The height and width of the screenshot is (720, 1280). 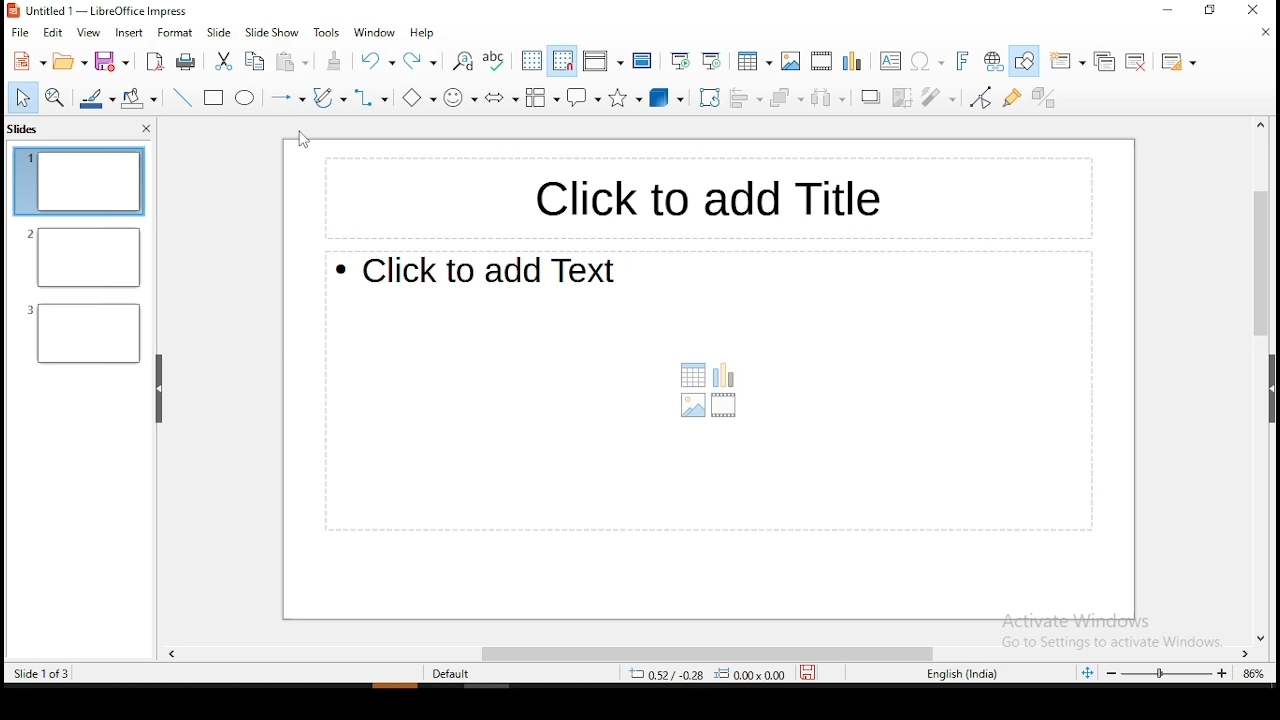 What do you see at coordinates (303, 141) in the screenshot?
I see `mouse pointer` at bounding box center [303, 141].